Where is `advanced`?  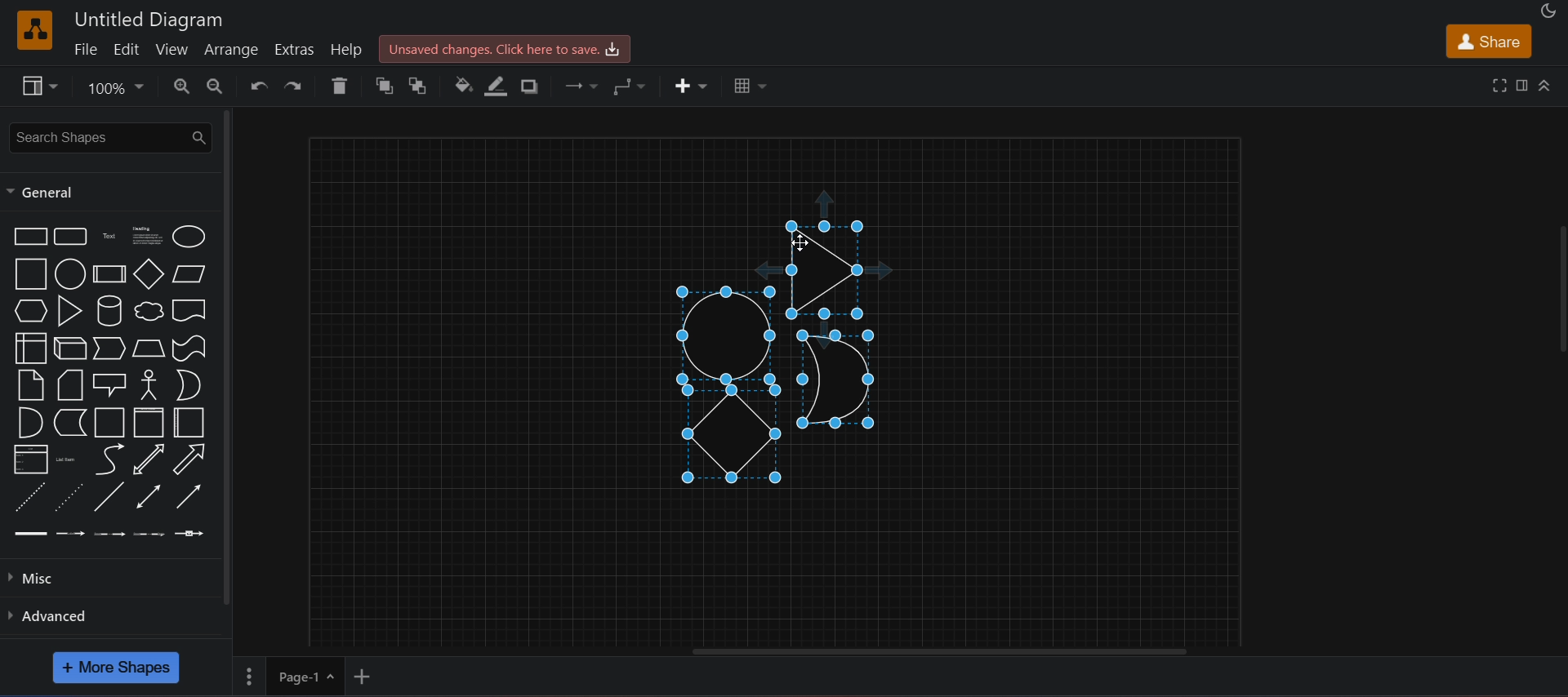 advanced is located at coordinates (62, 615).